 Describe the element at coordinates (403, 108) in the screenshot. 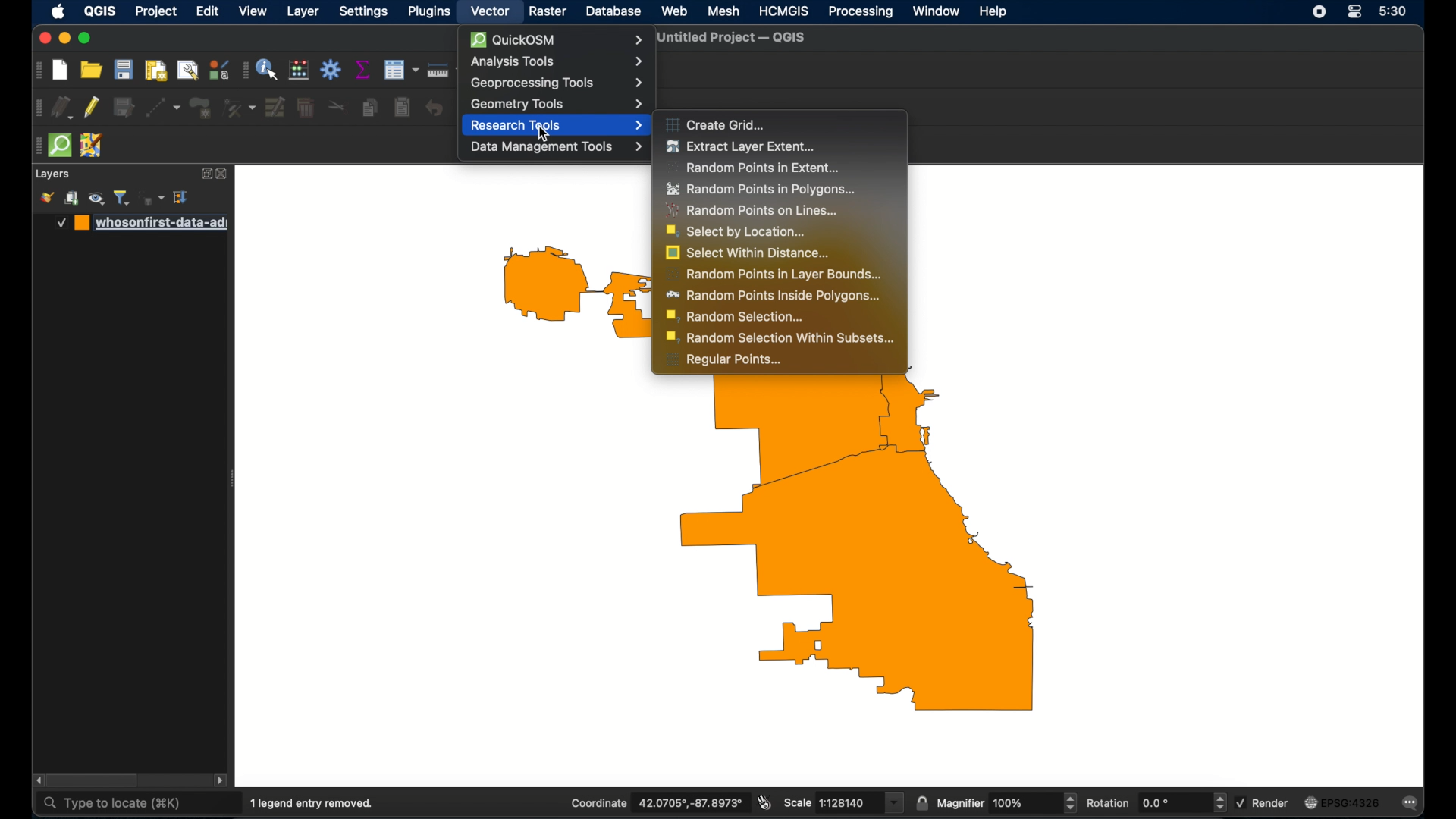

I see `paste features` at that location.